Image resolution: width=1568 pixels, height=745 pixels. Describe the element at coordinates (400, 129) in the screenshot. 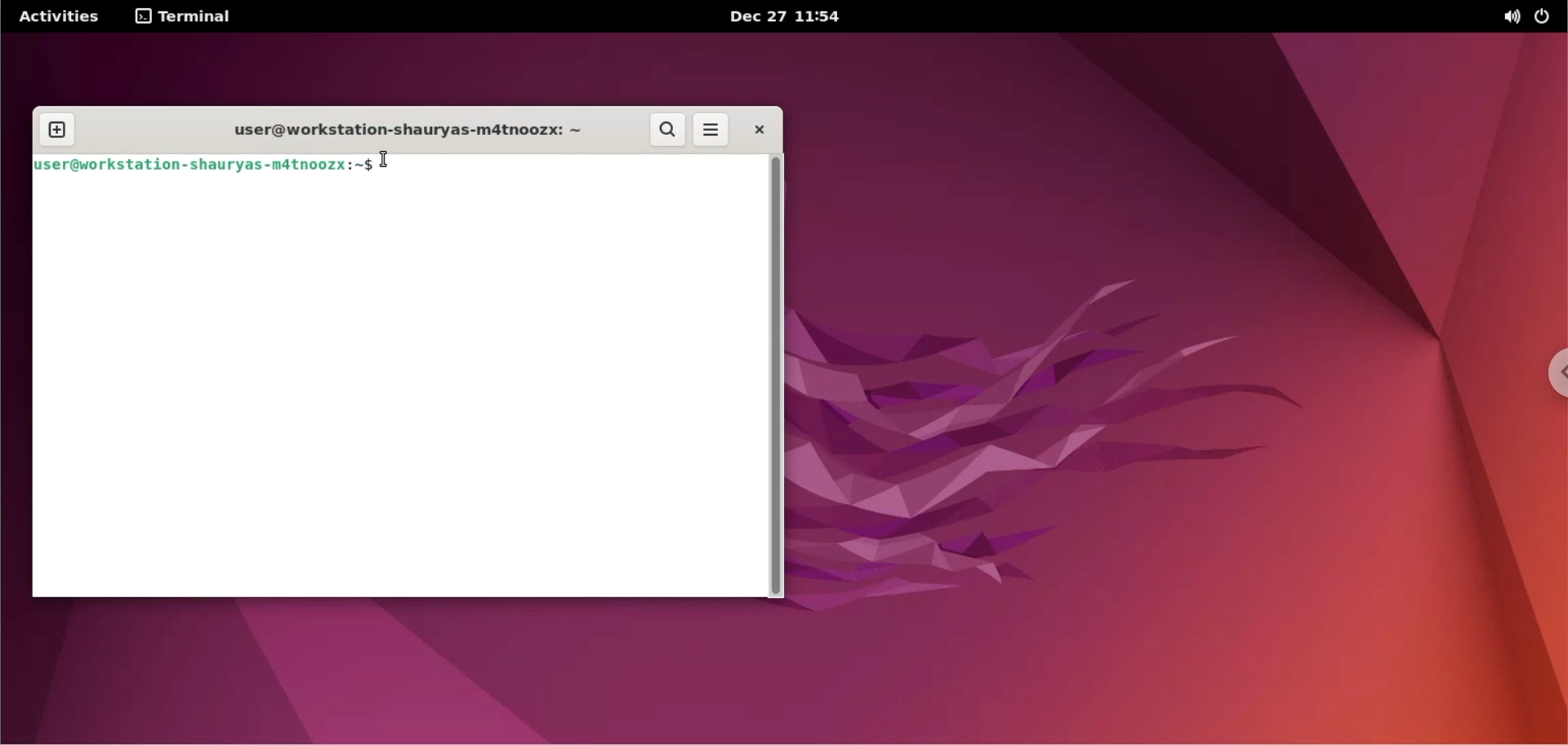

I see `terminal title: user@workstation-shauryas-m4tnoozx:~$ ` at that location.